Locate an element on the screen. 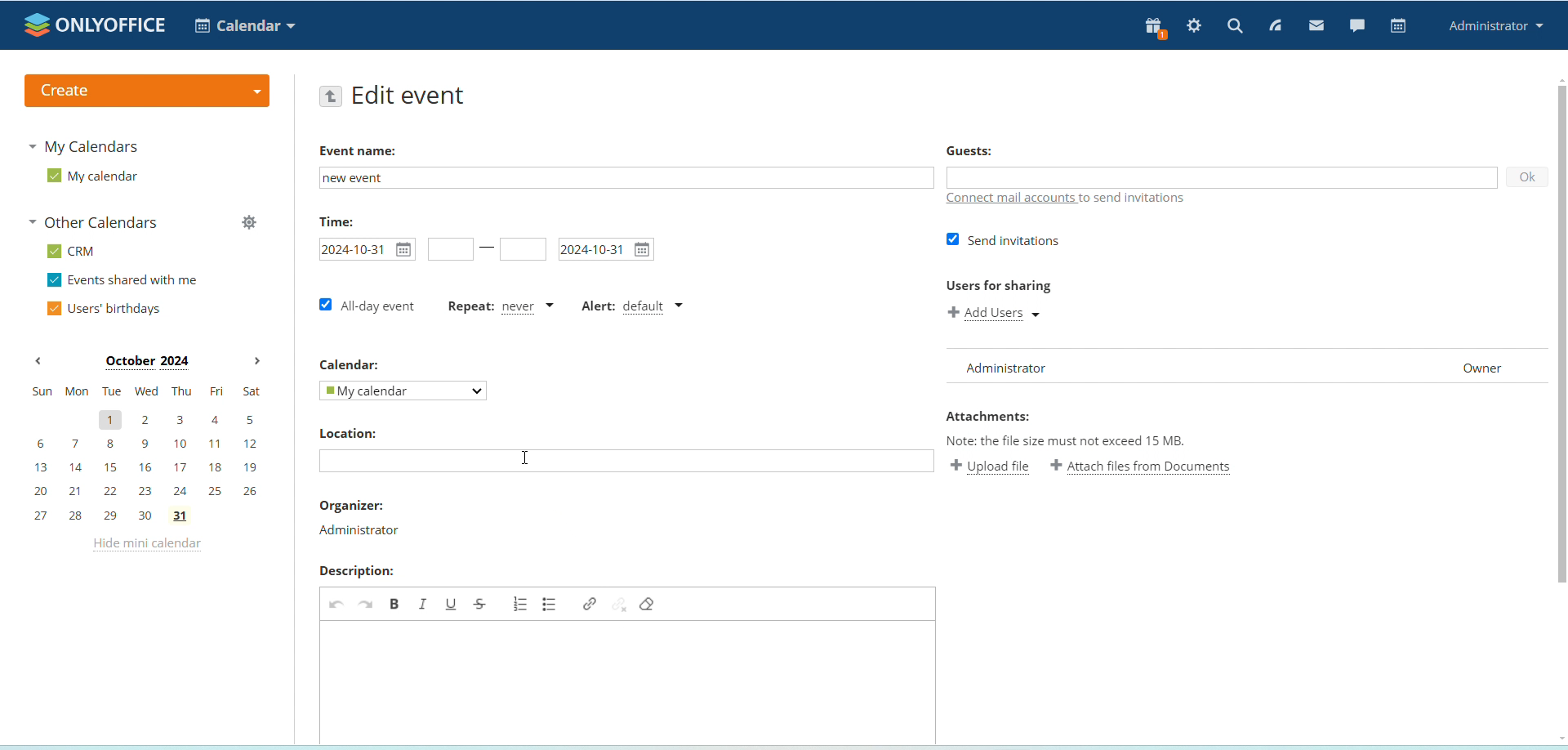 Image resolution: width=1568 pixels, height=750 pixels. add/remove numbered list is located at coordinates (521, 603).